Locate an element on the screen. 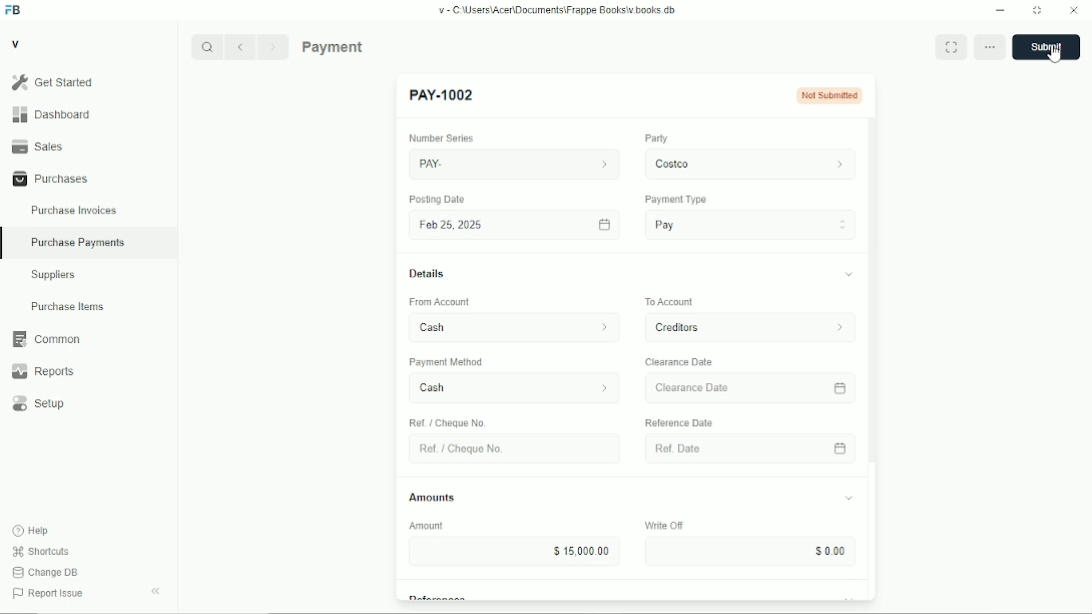 This screenshot has height=614, width=1092. Sales is located at coordinates (88, 146).